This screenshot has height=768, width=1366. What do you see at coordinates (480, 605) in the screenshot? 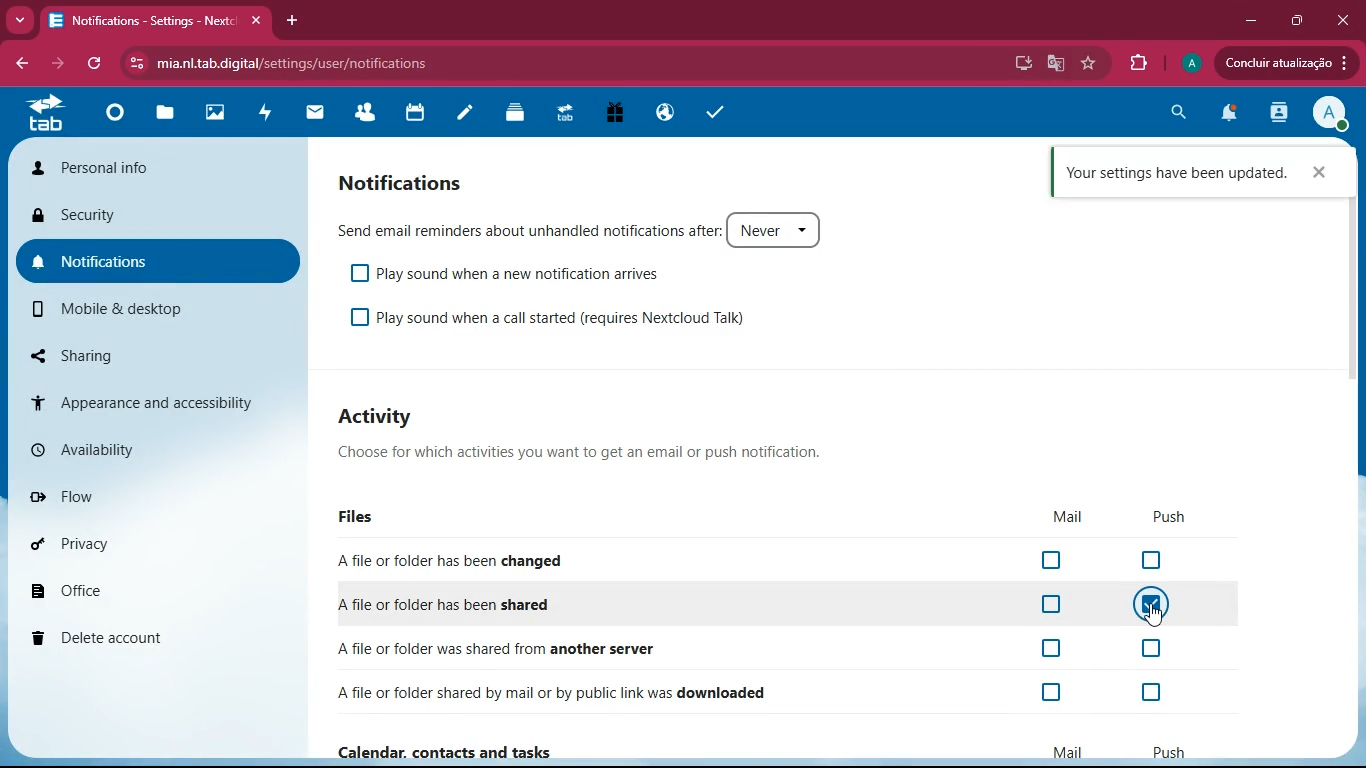
I see `shared` at bounding box center [480, 605].